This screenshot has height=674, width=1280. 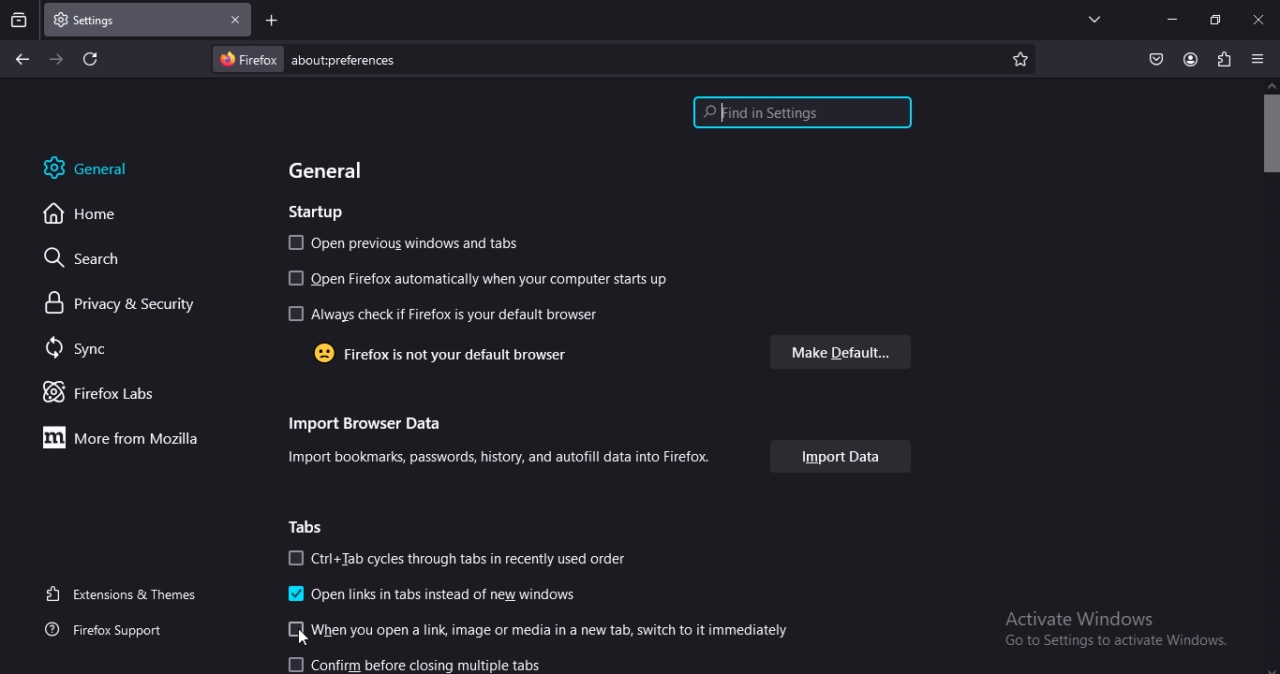 What do you see at coordinates (85, 168) in the screenshot?
I see `general` at bounding box center [85, 168].